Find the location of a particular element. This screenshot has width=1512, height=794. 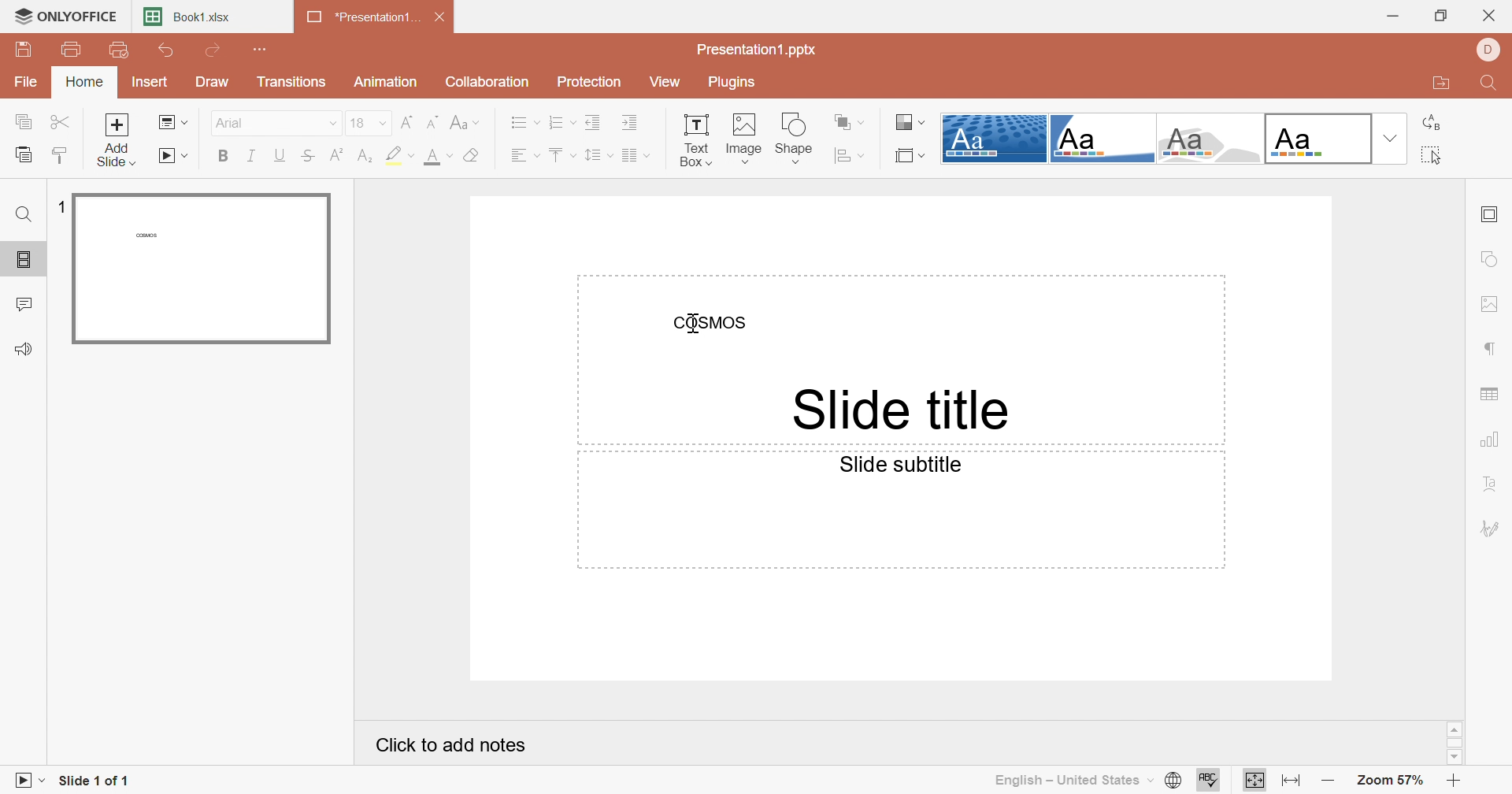

Select color theme is located at coordinates (908, 124).